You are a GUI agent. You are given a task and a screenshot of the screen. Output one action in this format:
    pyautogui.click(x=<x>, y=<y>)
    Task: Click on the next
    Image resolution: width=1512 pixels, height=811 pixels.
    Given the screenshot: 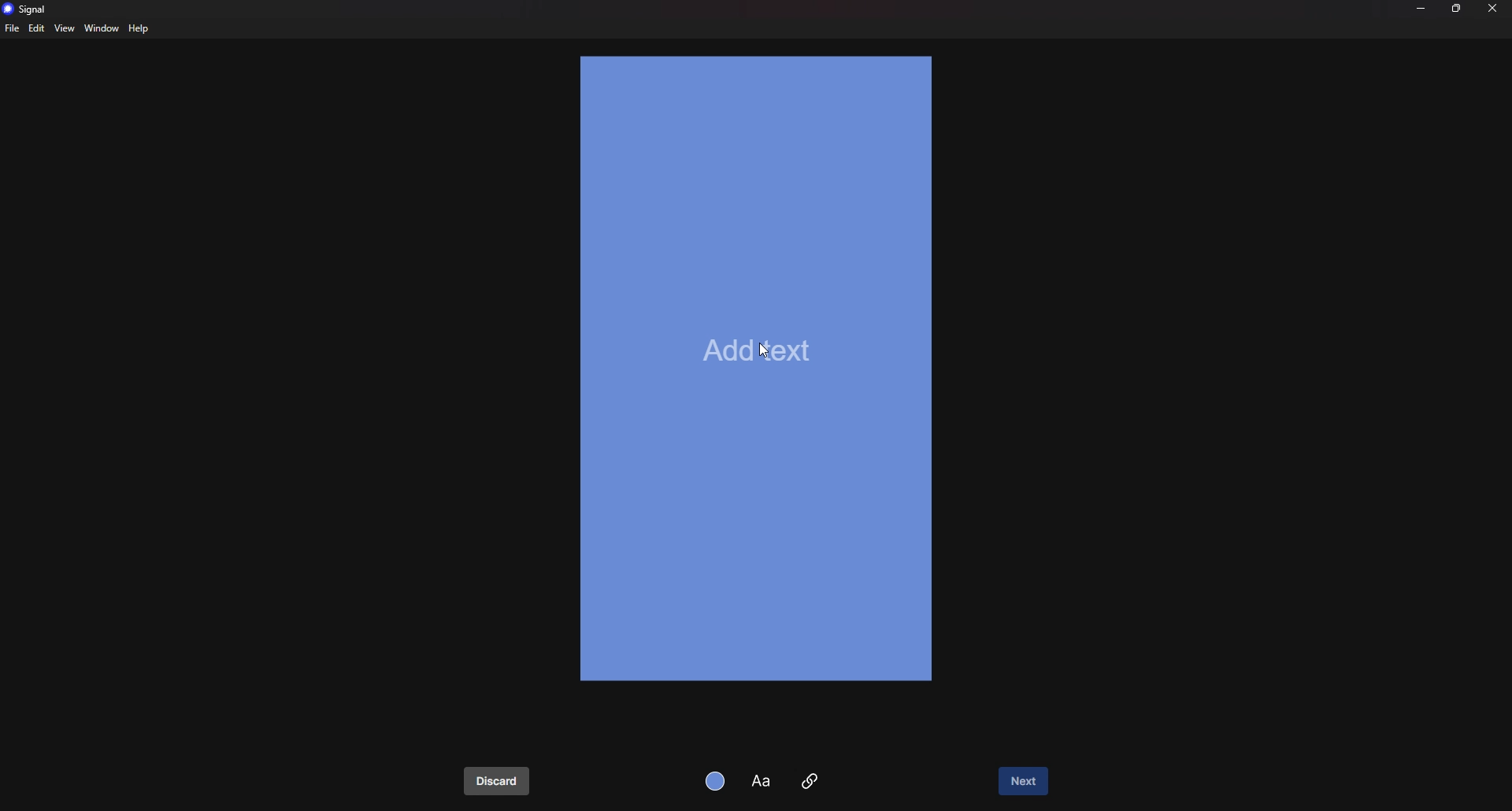 What is the action you would take?
    pyautogui.click(x=1022, y=783)
    